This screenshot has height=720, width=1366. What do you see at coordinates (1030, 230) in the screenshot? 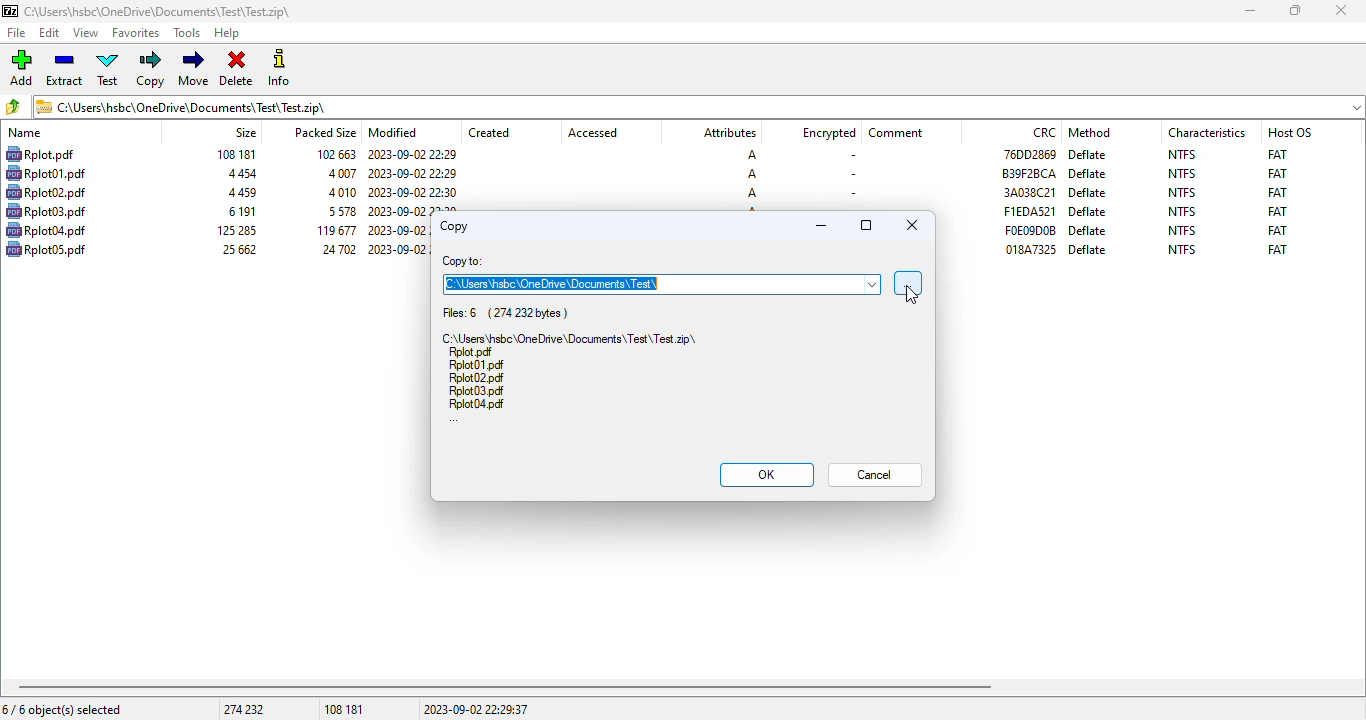
I see `CRC` at bounding box center [1030, 230].